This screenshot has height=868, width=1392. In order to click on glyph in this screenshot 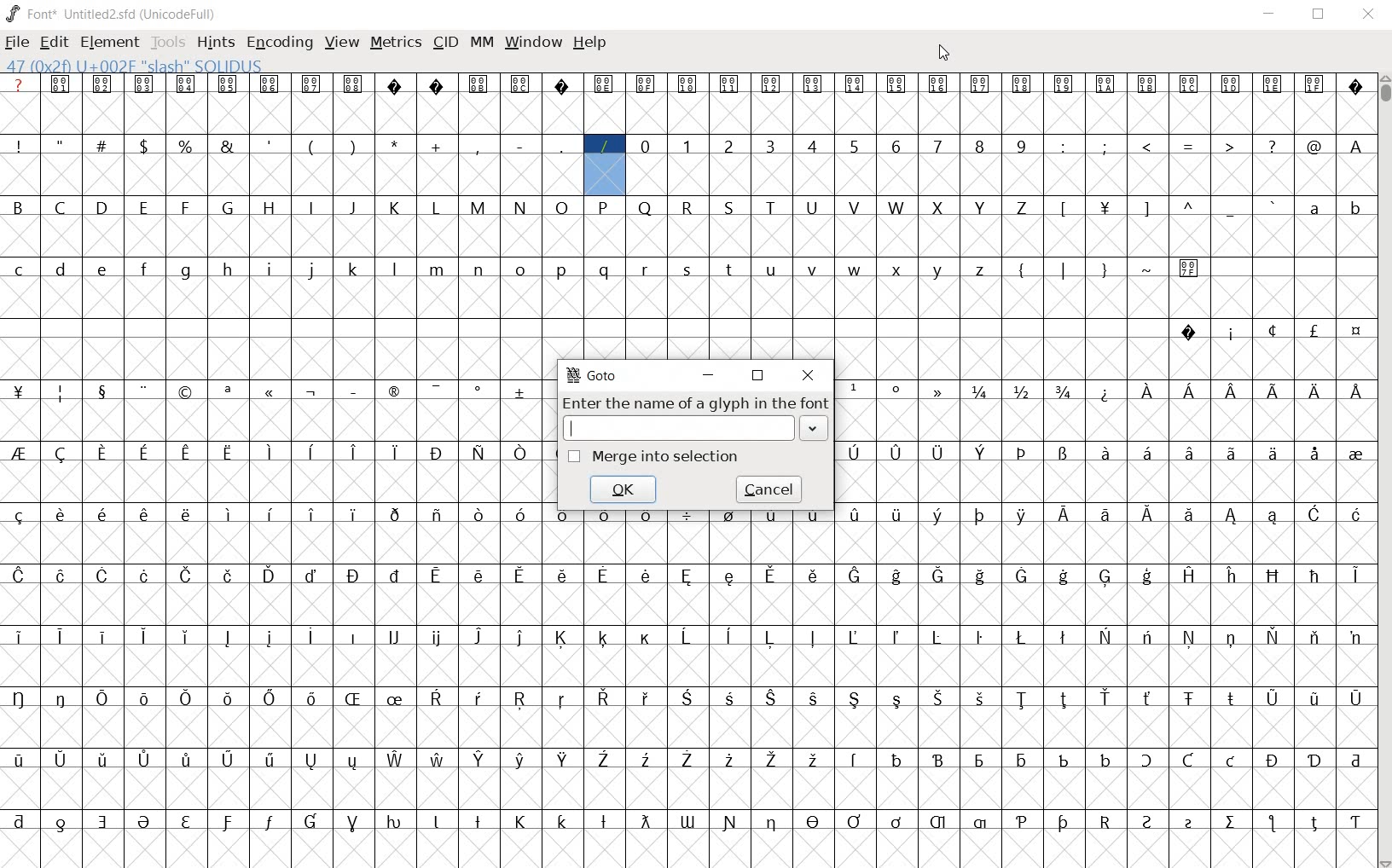, I will do `click(687, 146)`.